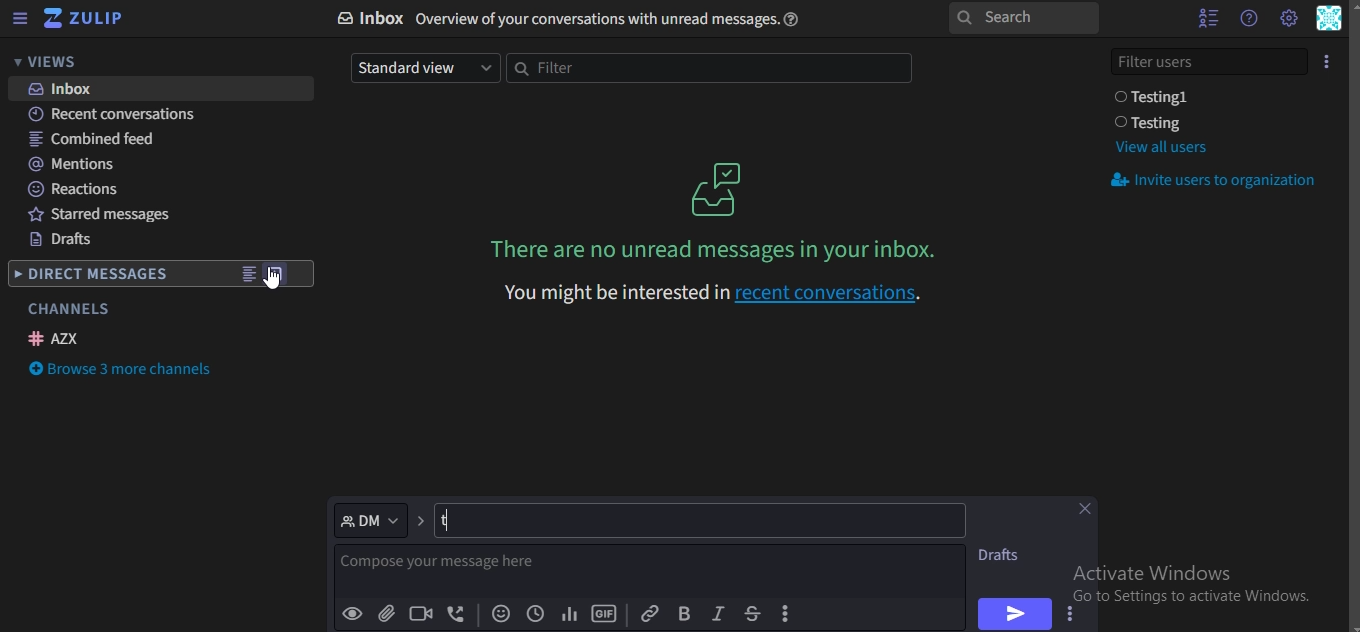  Describe the element at coordinates (76, 189) in the screenshot. I see `reactions` at that location.